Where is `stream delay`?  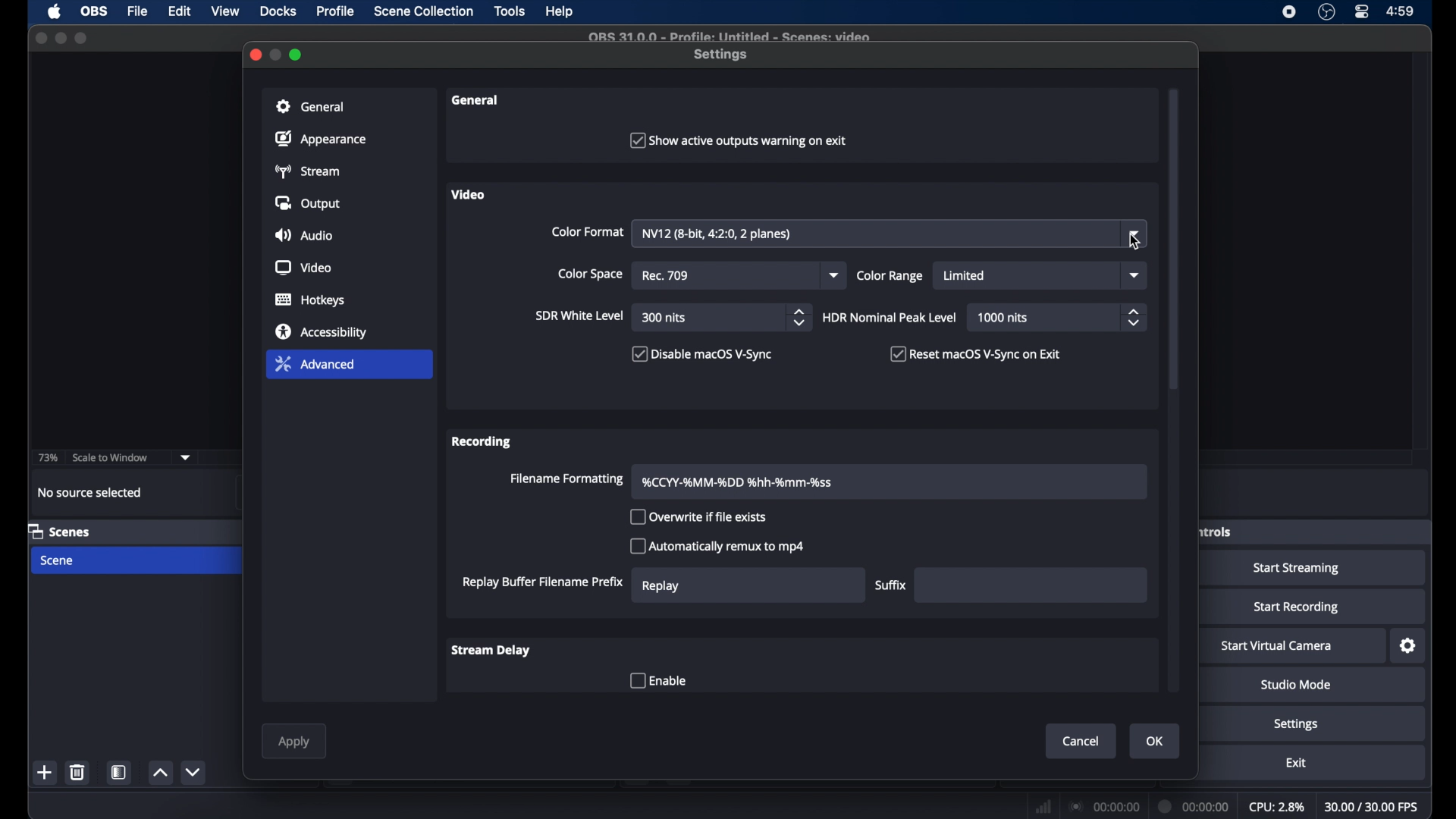
stream delay is located at coordinates (490, 651).